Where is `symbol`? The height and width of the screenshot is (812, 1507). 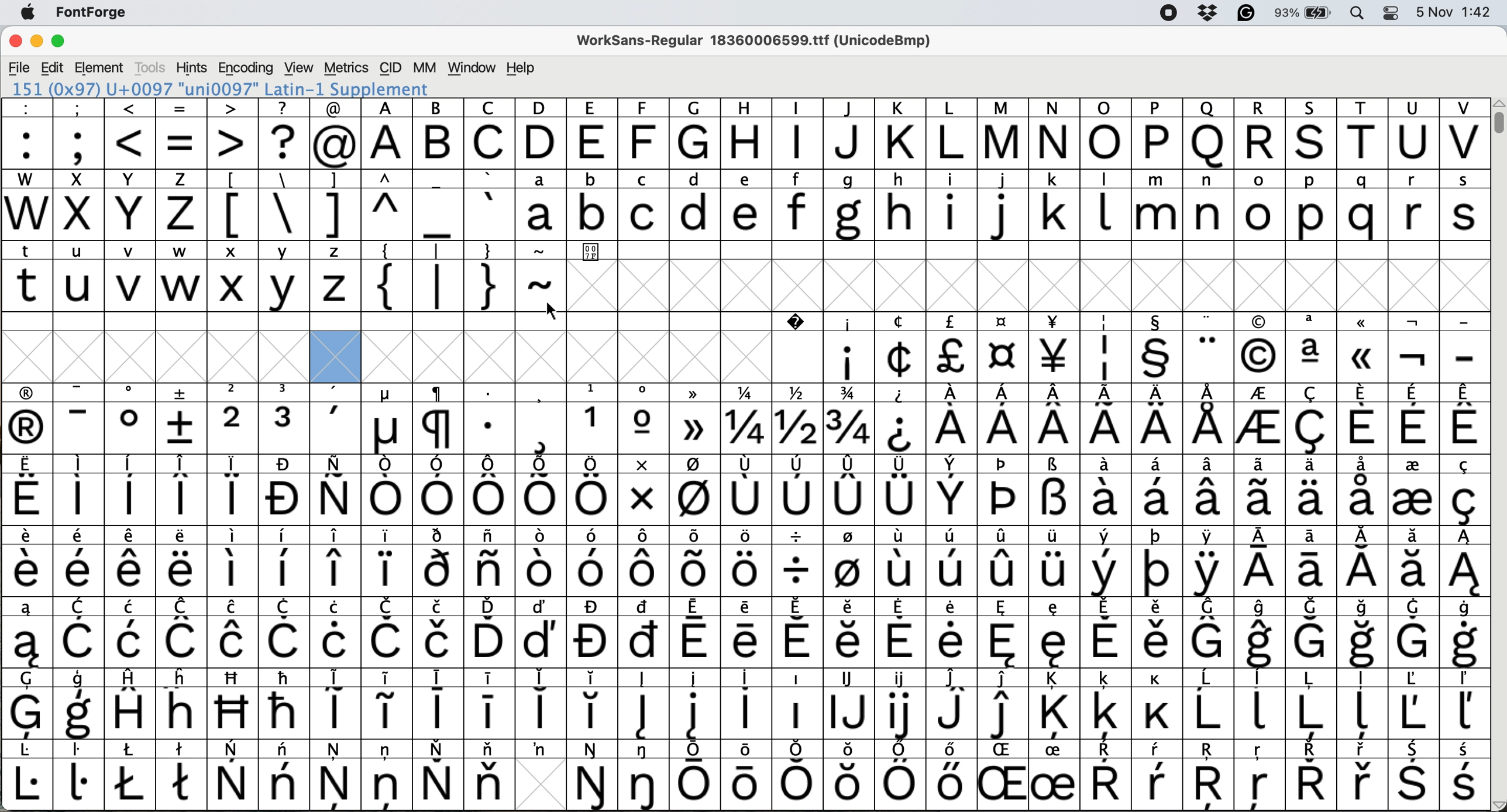
symbol is located at coordinates (438, 775).